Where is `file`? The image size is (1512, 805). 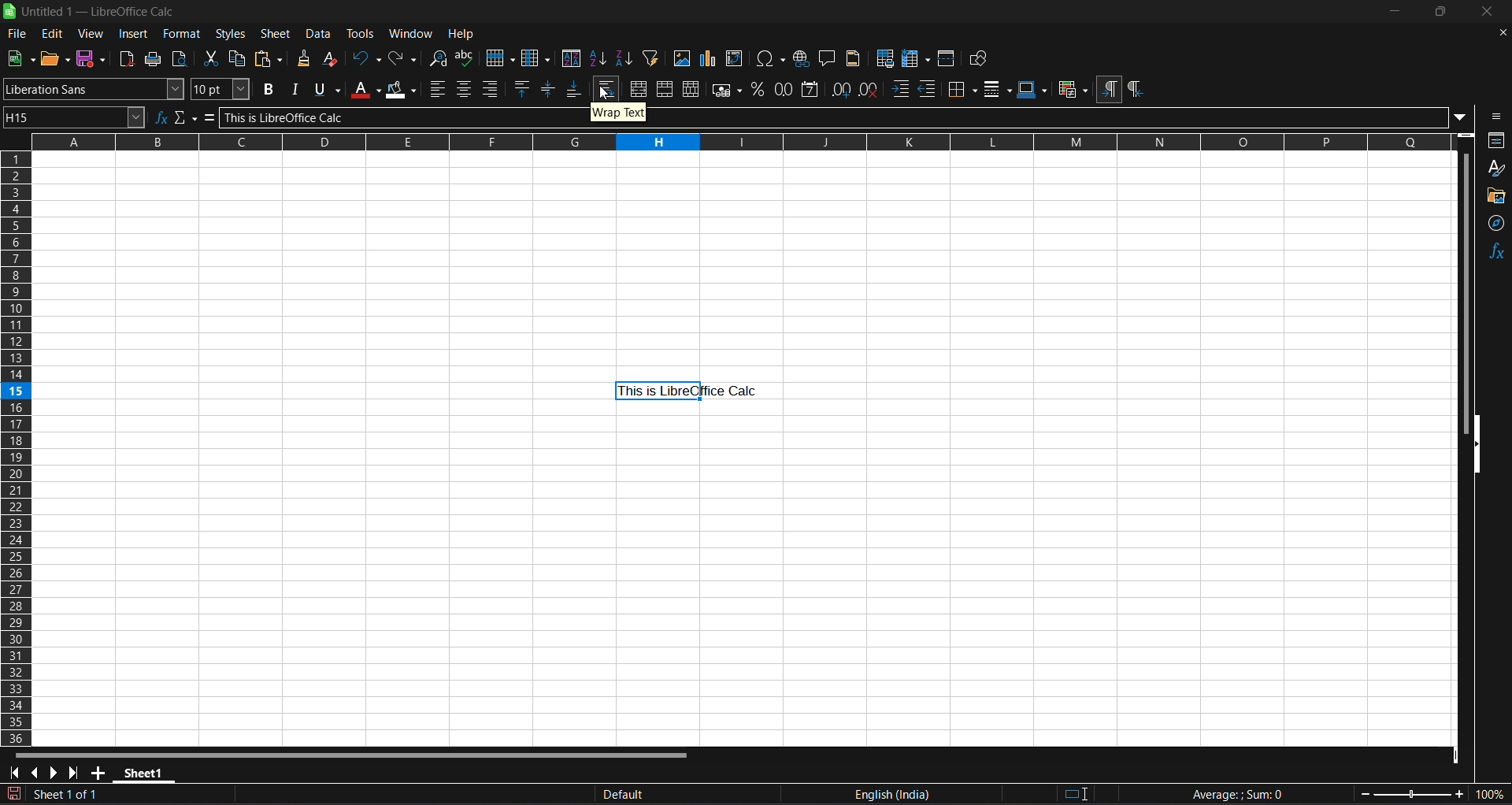 file is located at coordinates (19, 34).